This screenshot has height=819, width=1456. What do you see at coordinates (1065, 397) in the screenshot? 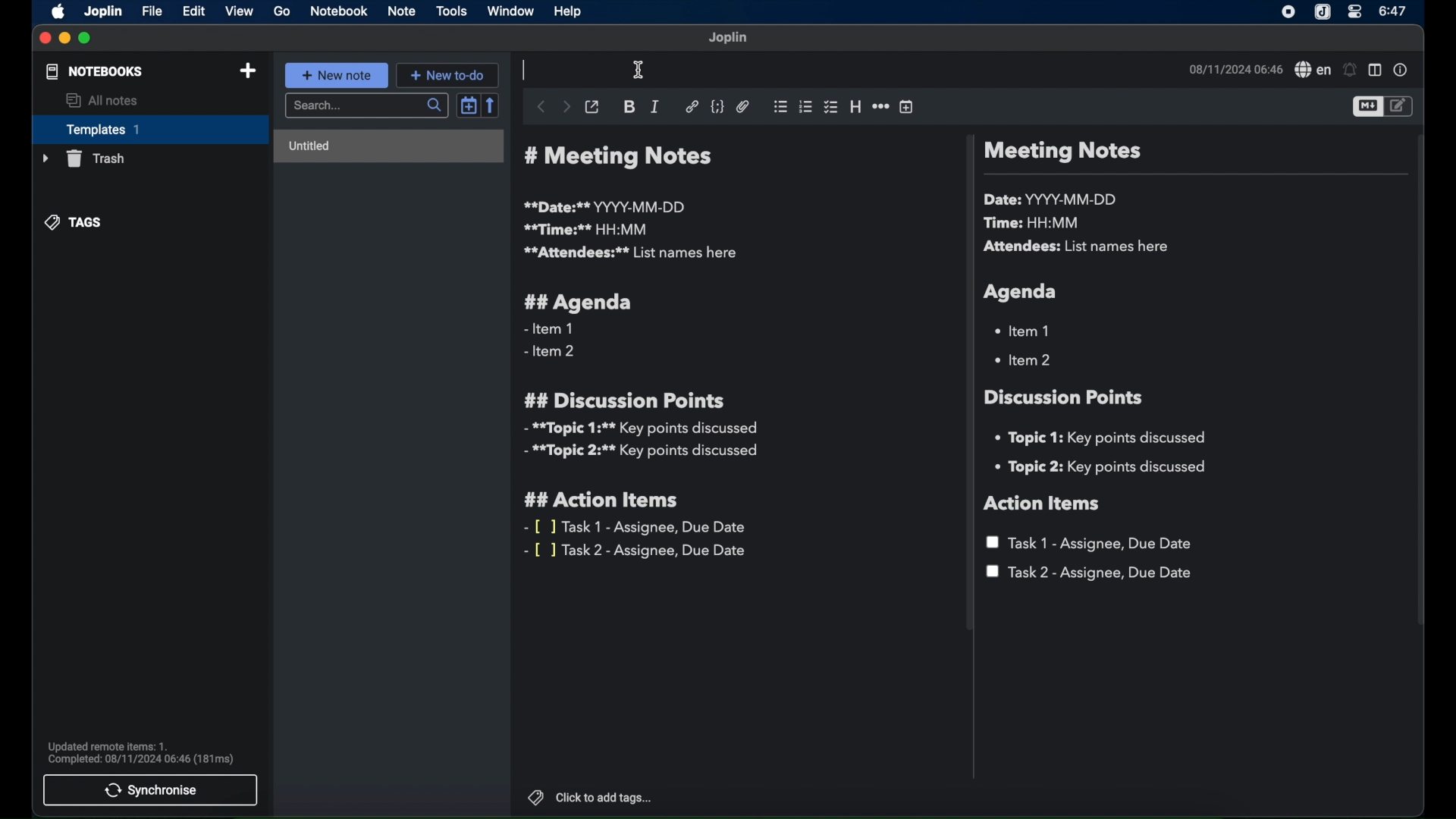
I see `discussion points` at bounding box center [1065, 397].